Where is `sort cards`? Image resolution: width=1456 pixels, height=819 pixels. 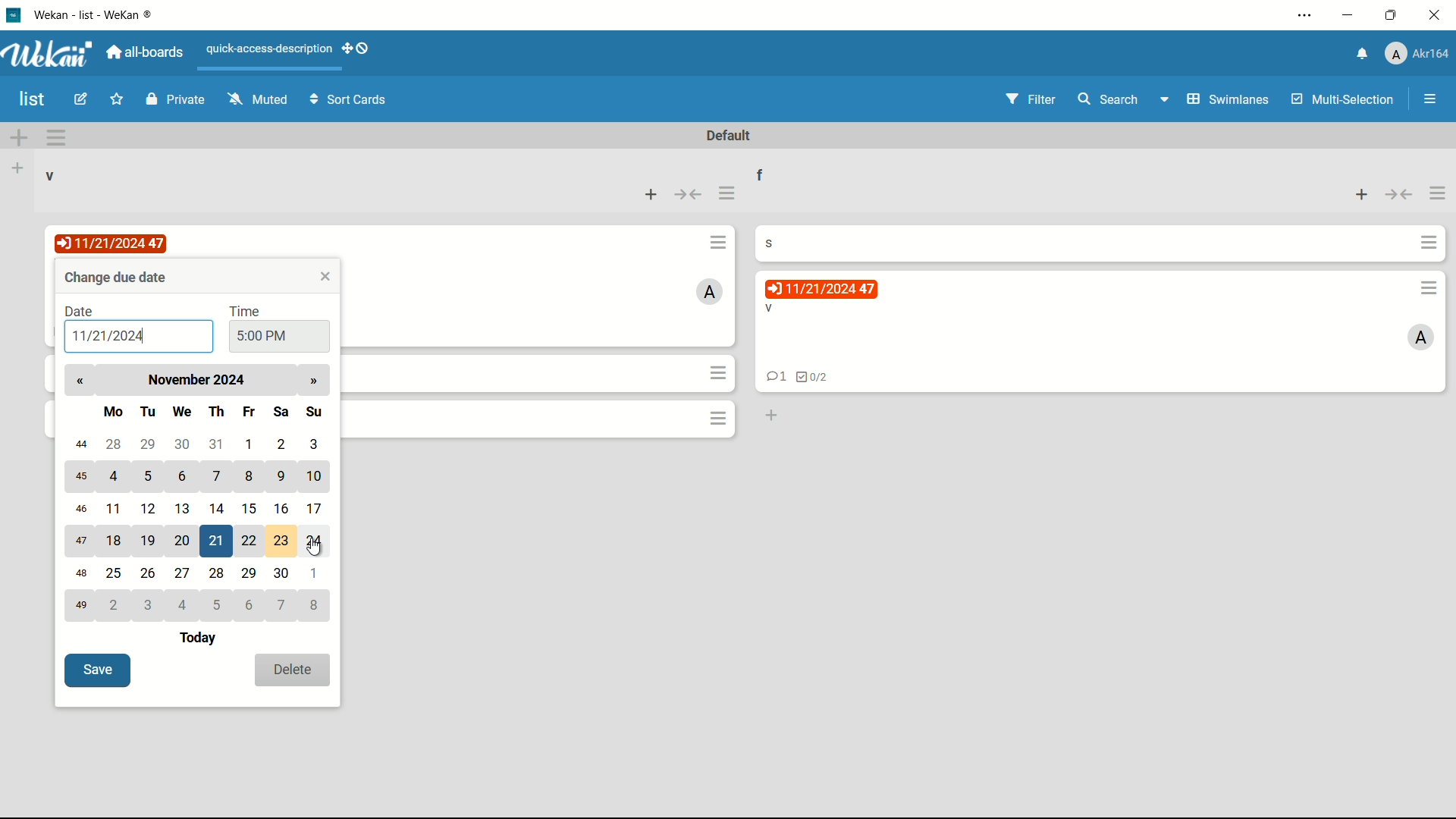
sort cards is located at coordinates (350, 102).